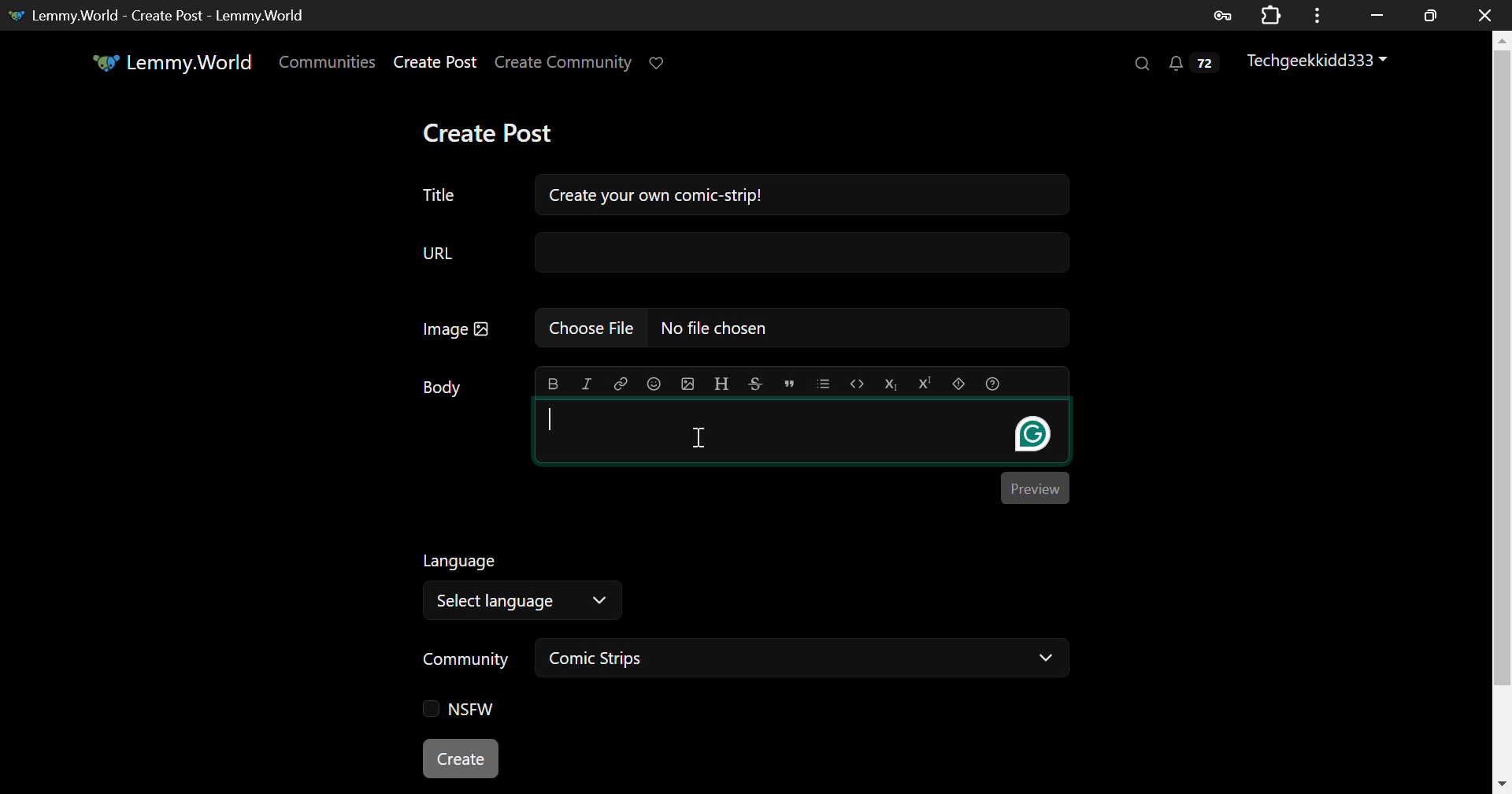 Image resolution: width=1512 pixels, height=794 pixels. I want to click on Insert Image, so click(687, 384).